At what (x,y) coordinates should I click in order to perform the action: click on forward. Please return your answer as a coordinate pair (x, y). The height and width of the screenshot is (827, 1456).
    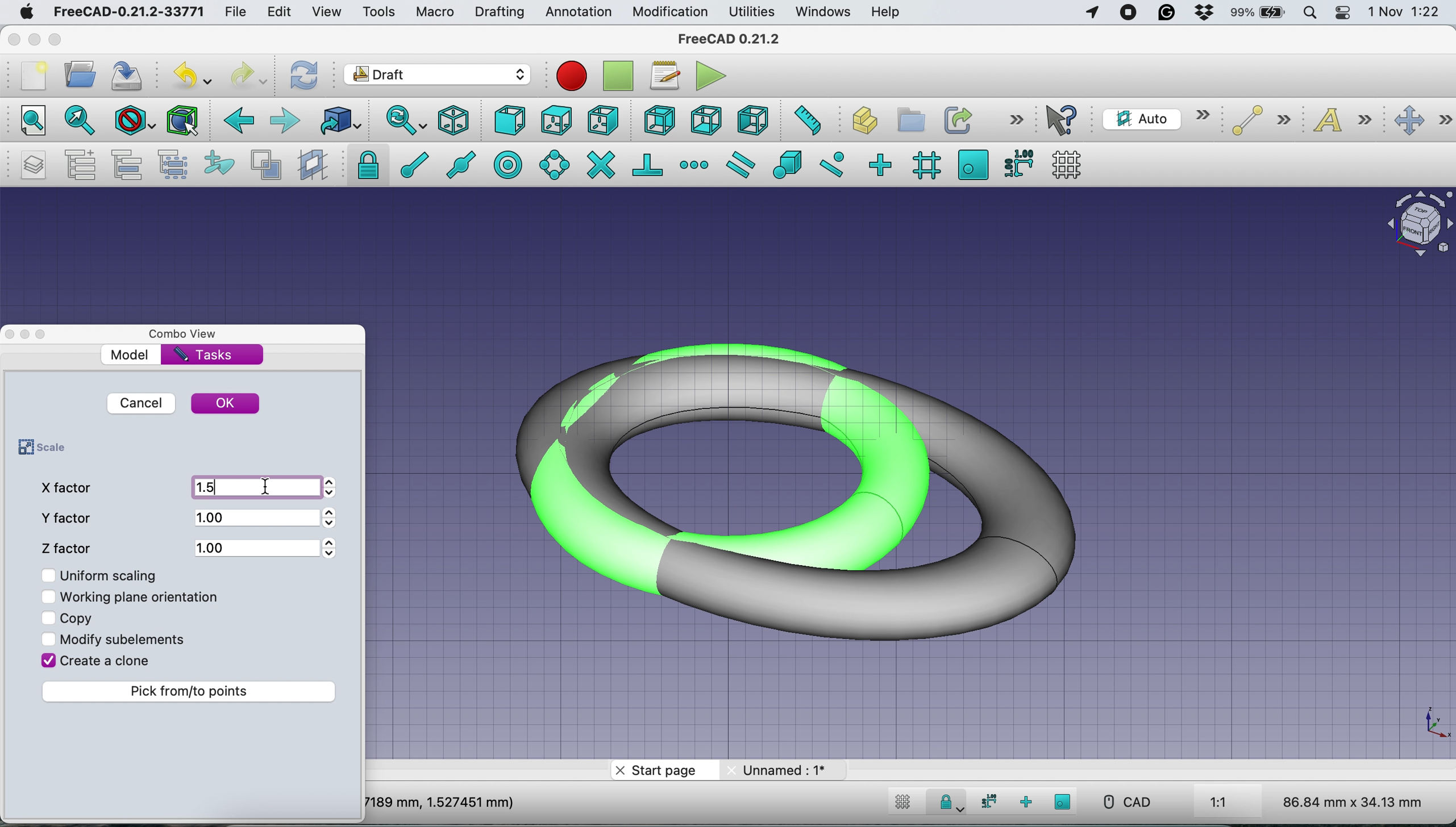
    Looking at the image, I should click on (286, 122).